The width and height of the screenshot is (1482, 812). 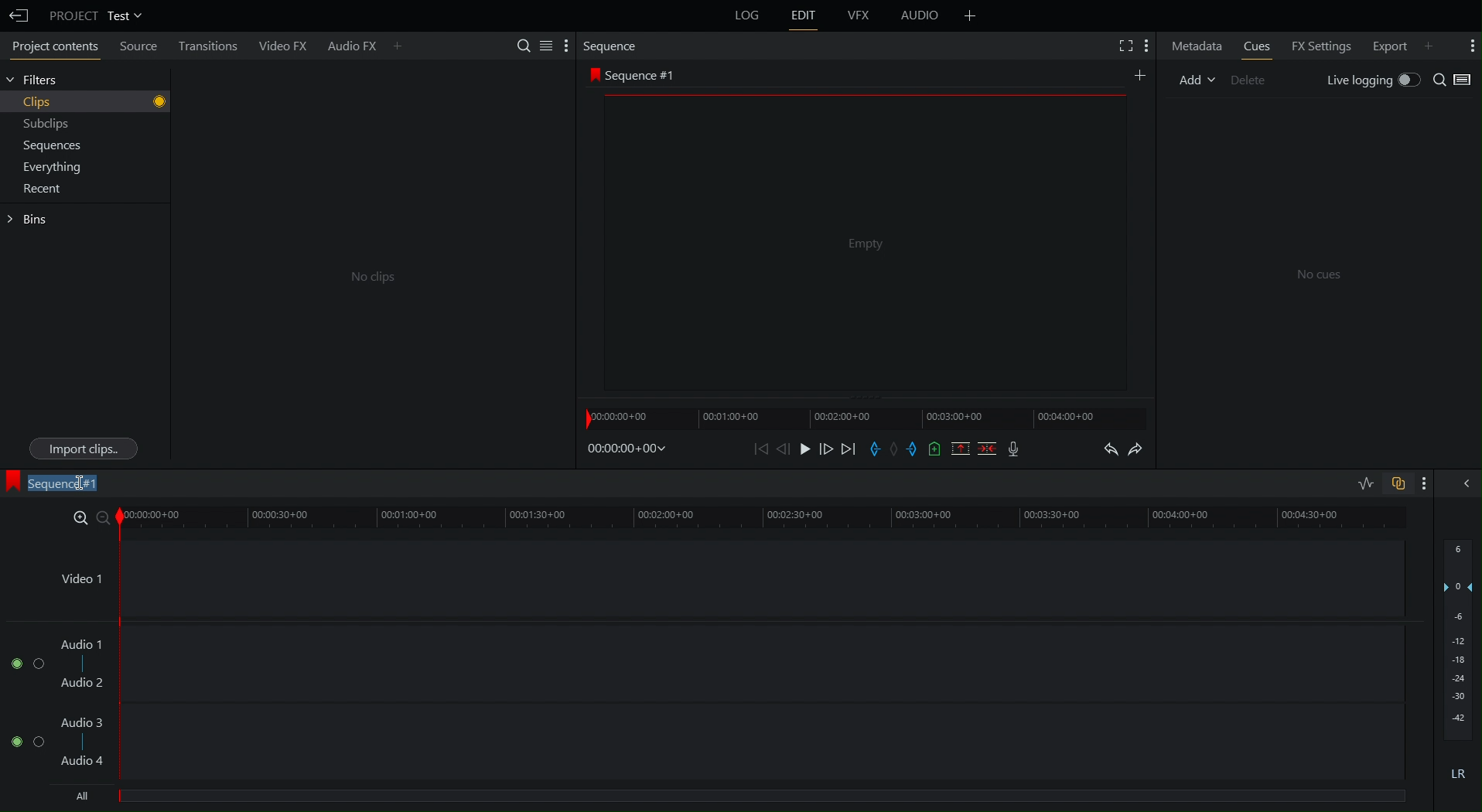 I want to click on Audio 4, so click(x=84, y=759).